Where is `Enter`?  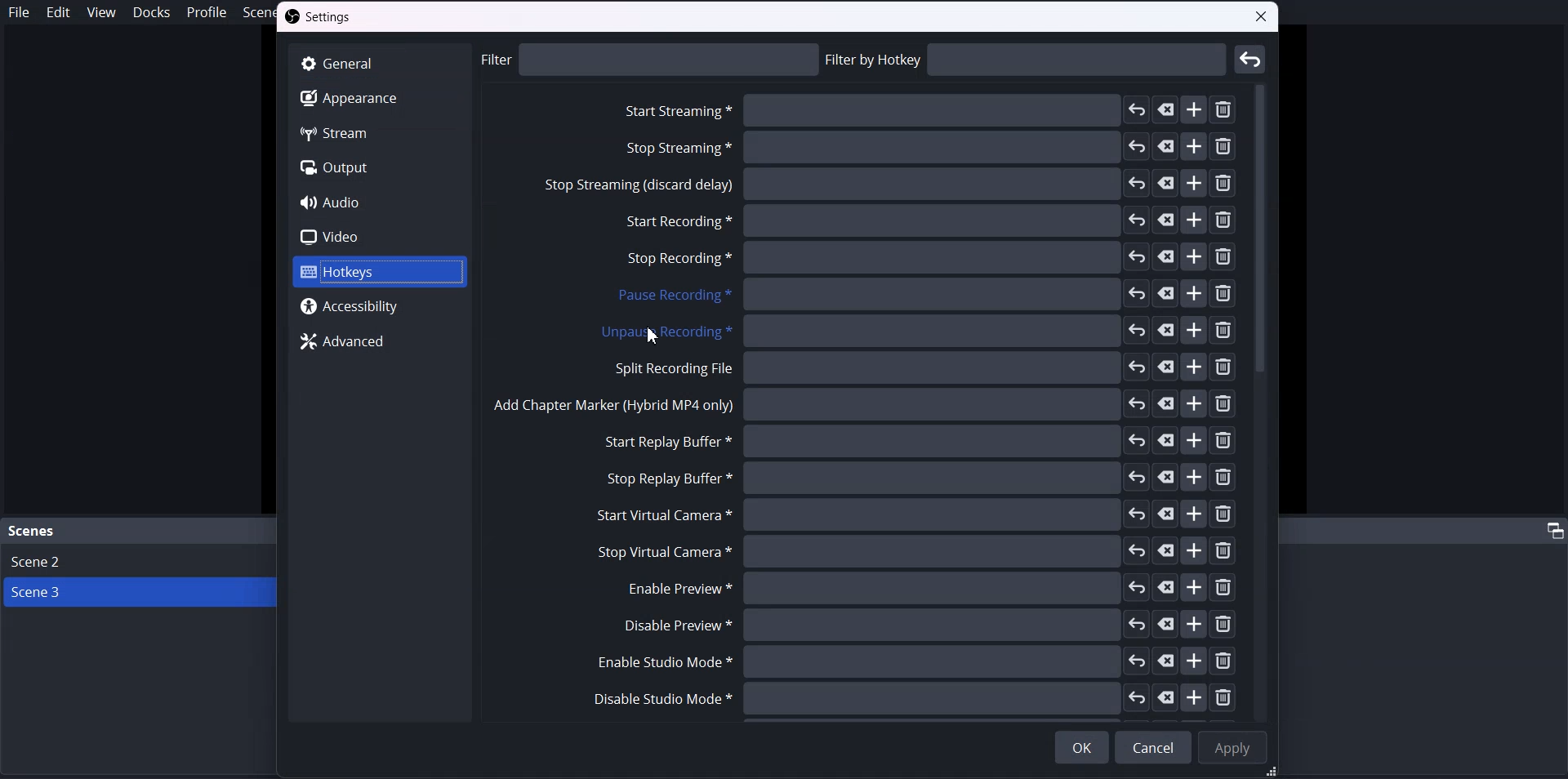
Enter is located at coordinates (1251, 59).